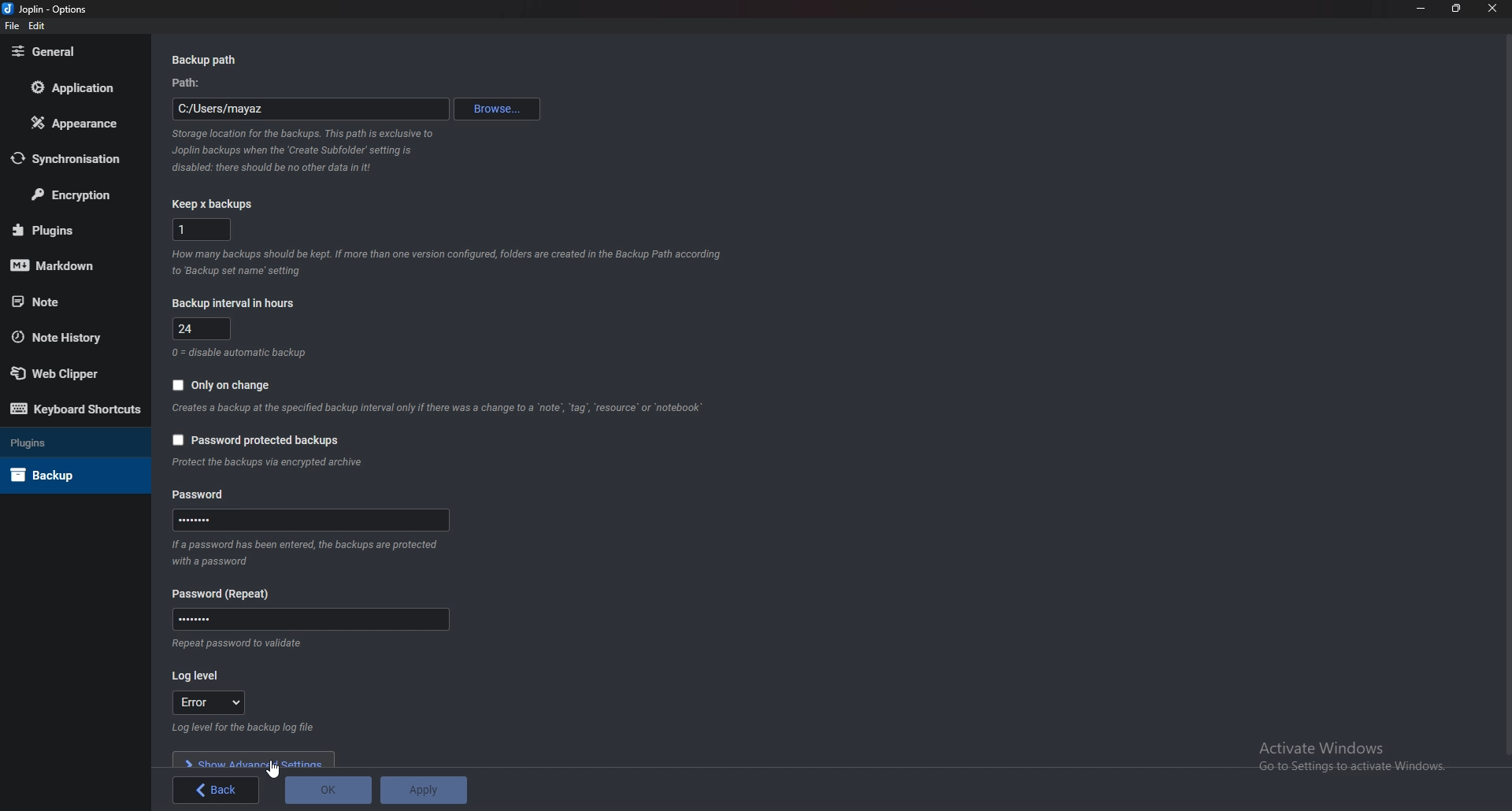  Describe the element at coordinates (315, 554) in the screenshot. I see `Info` at that location.